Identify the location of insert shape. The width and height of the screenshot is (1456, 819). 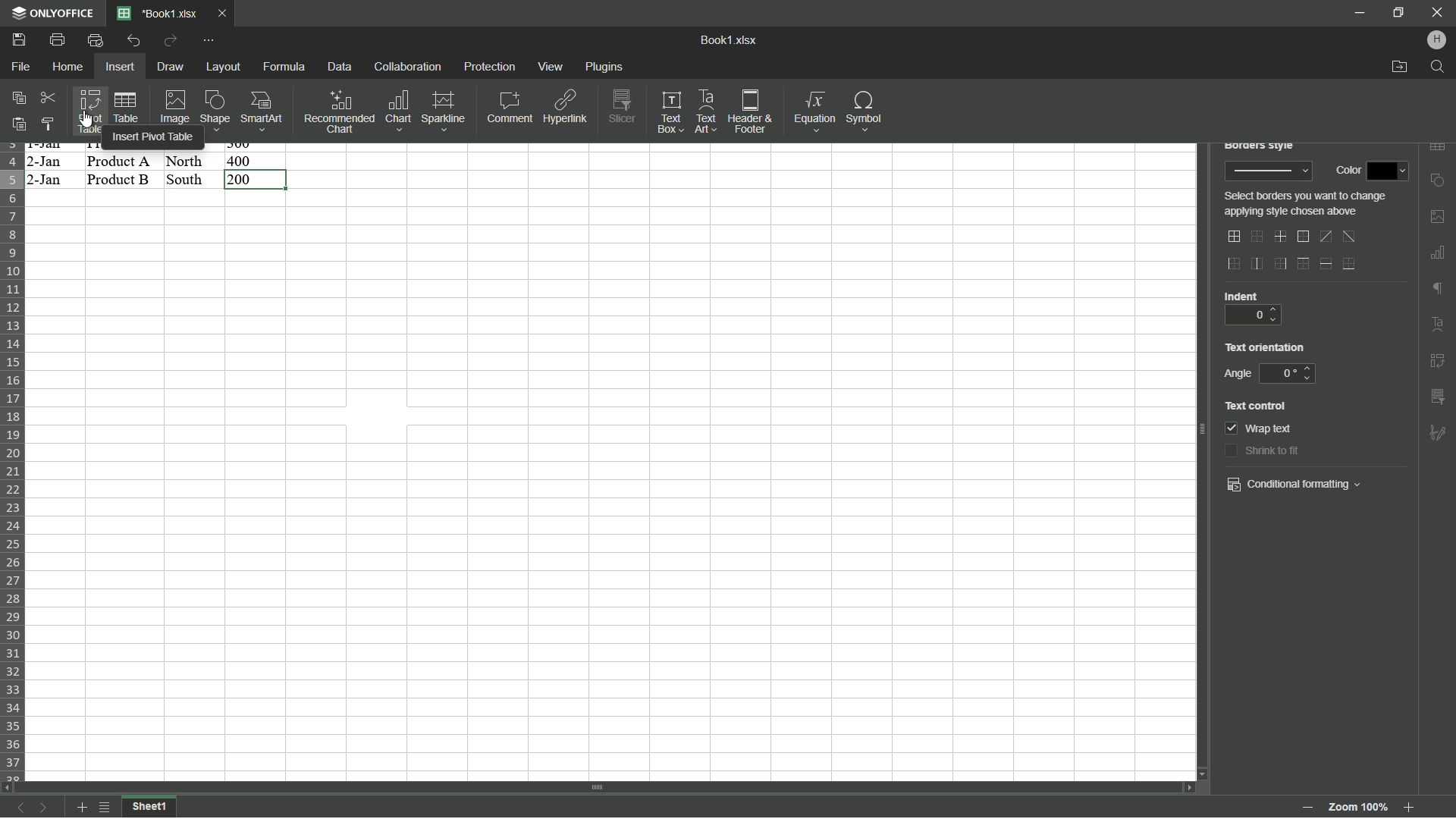
(1439, 180).